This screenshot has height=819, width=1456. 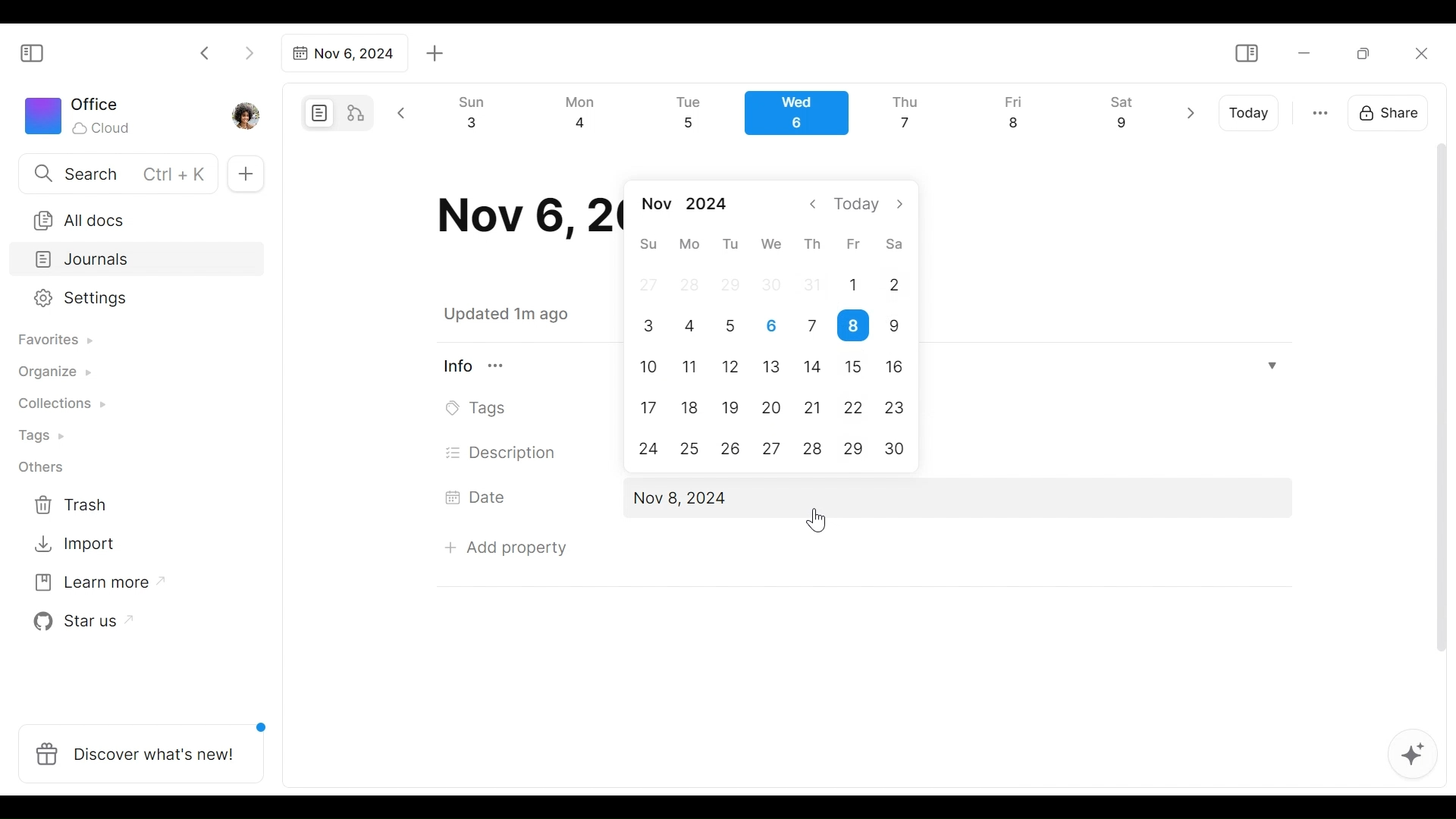 I want to click on Show/Hide Sidebar, so click(x=39, y=52).